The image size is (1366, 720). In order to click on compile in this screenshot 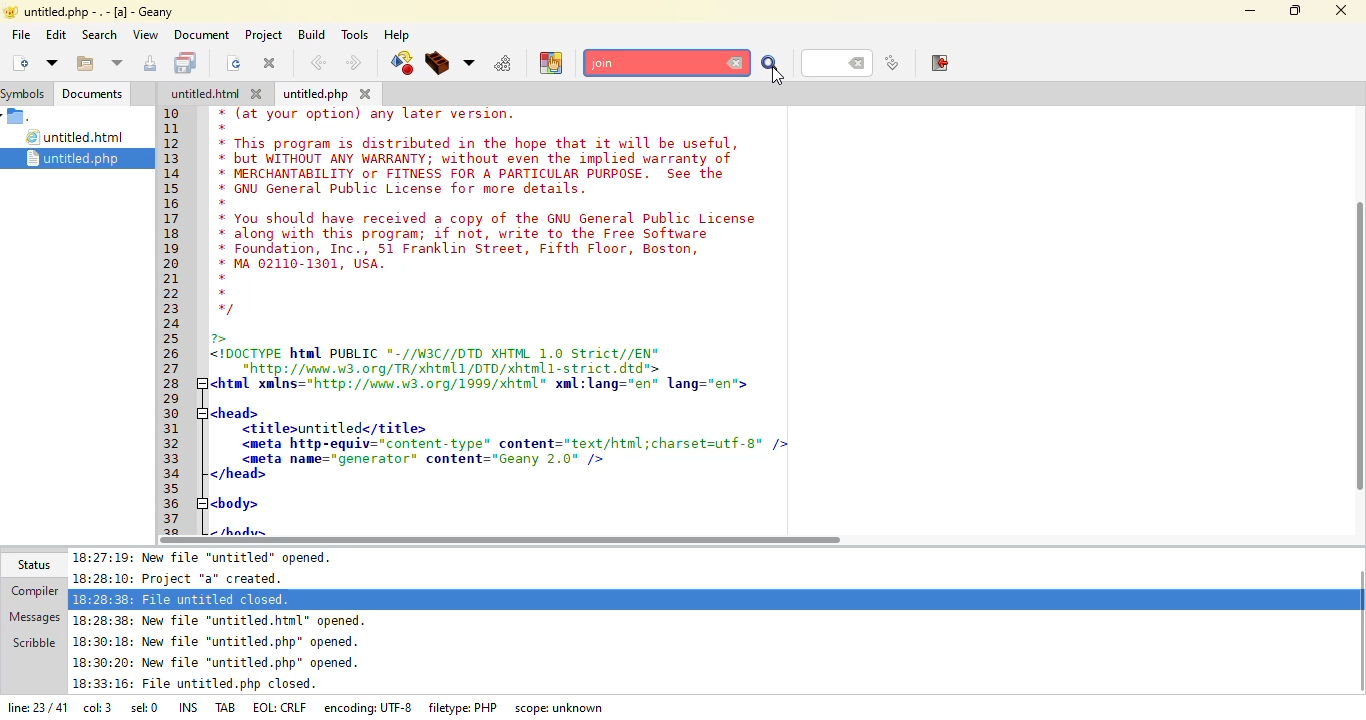, I will do `click(401, 63)`.